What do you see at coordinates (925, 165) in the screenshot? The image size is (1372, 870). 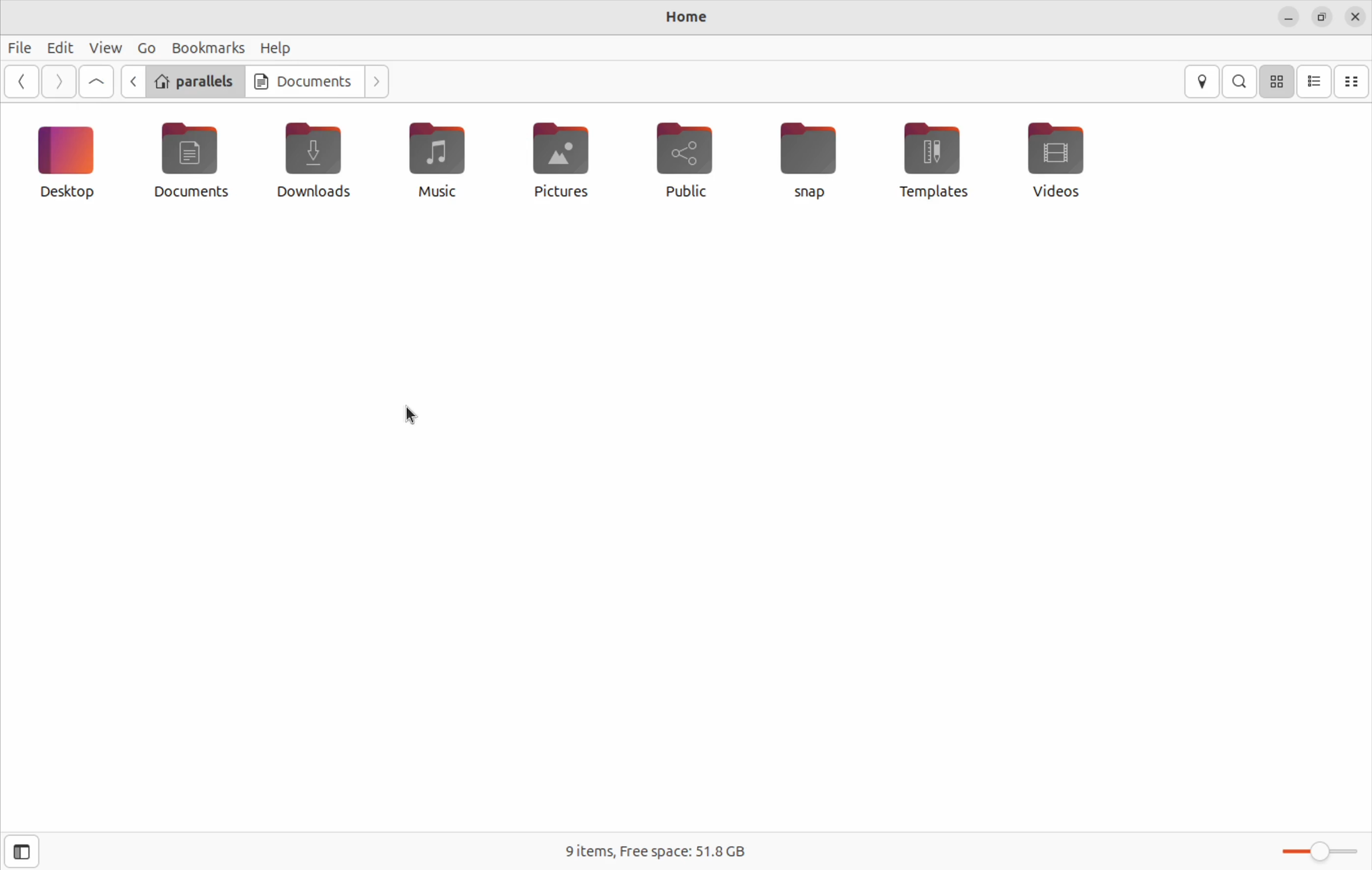 I see `templates` at bounding box center [925, 165].